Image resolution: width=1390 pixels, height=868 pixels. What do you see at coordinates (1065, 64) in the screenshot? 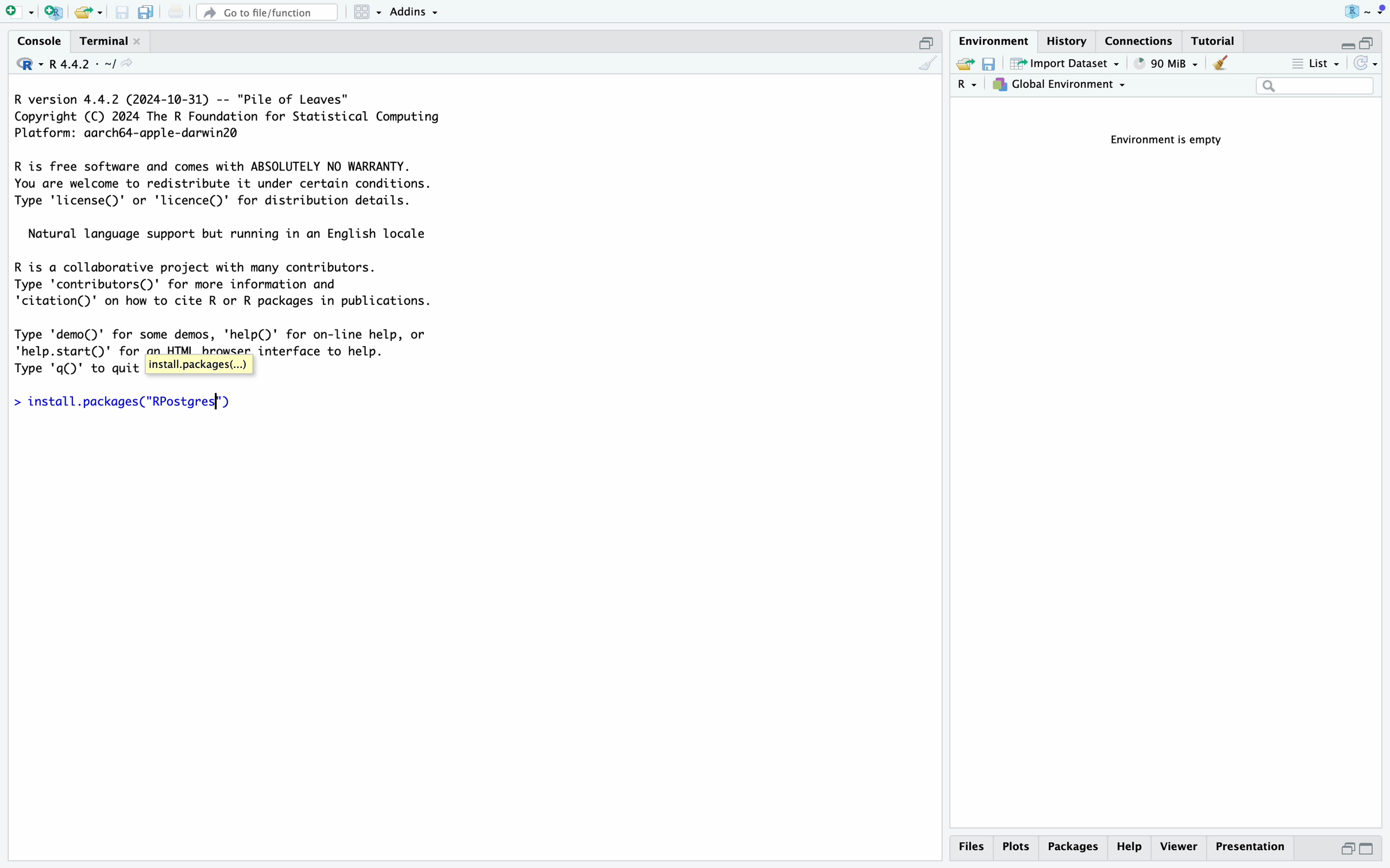
I see `import dataset` at bounding box center [1065, 64].